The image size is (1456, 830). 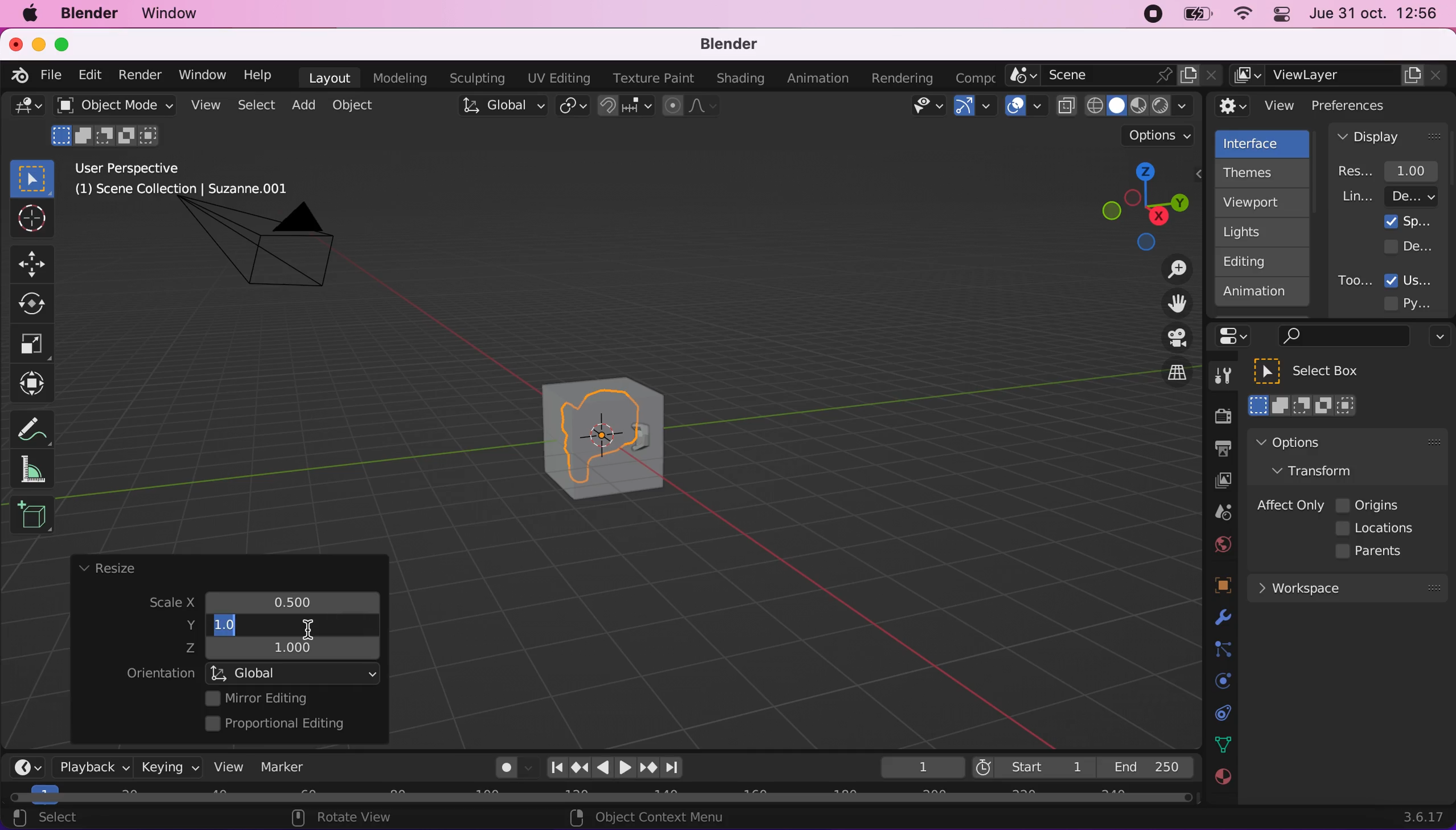 I want to click on toggle the camera view, so click(x=1169, y=339).